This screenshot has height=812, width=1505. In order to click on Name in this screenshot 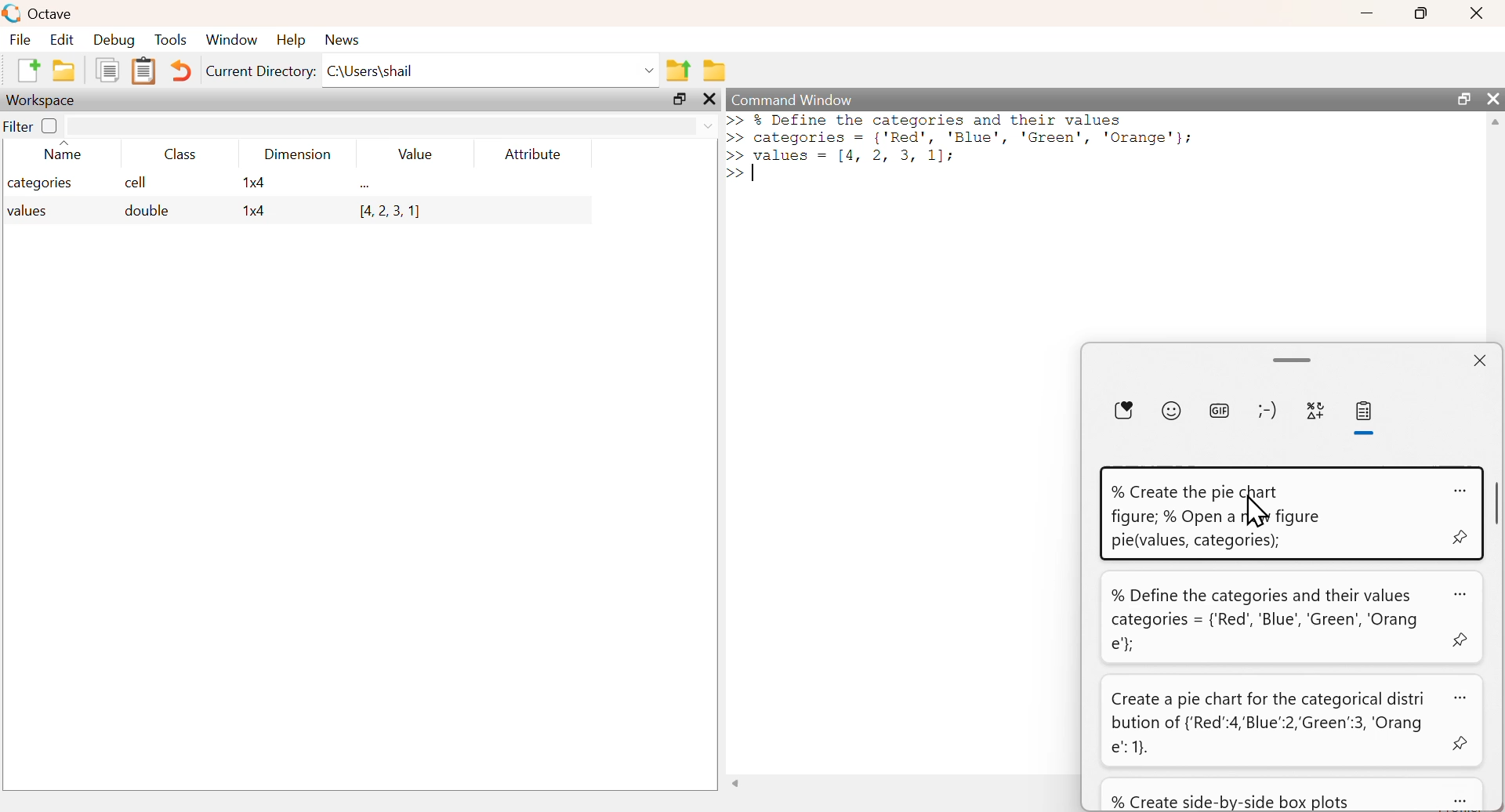, I will do `click(62, 150)`.